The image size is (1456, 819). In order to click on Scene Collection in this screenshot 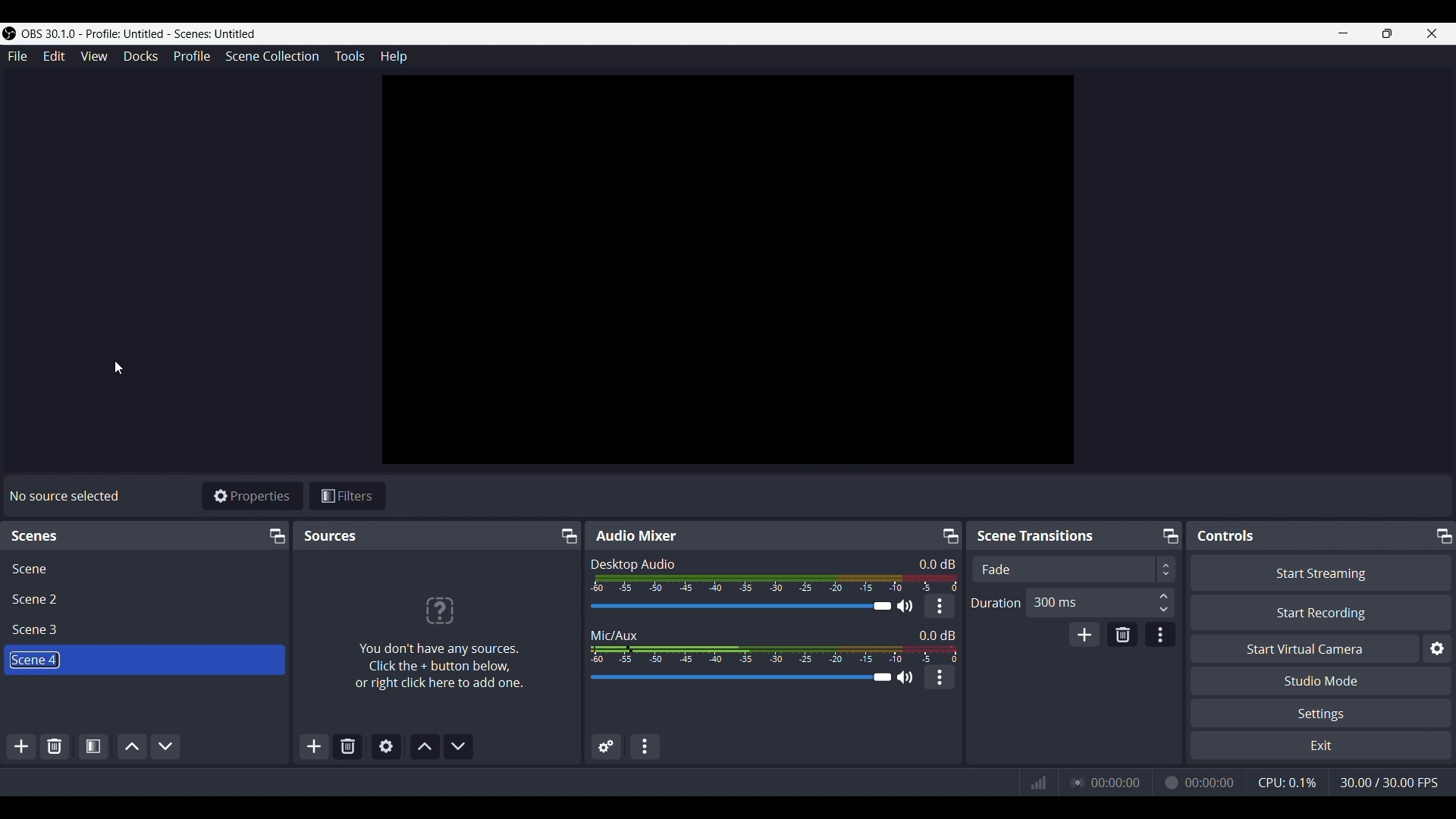, I will do `click(273, 55)`.